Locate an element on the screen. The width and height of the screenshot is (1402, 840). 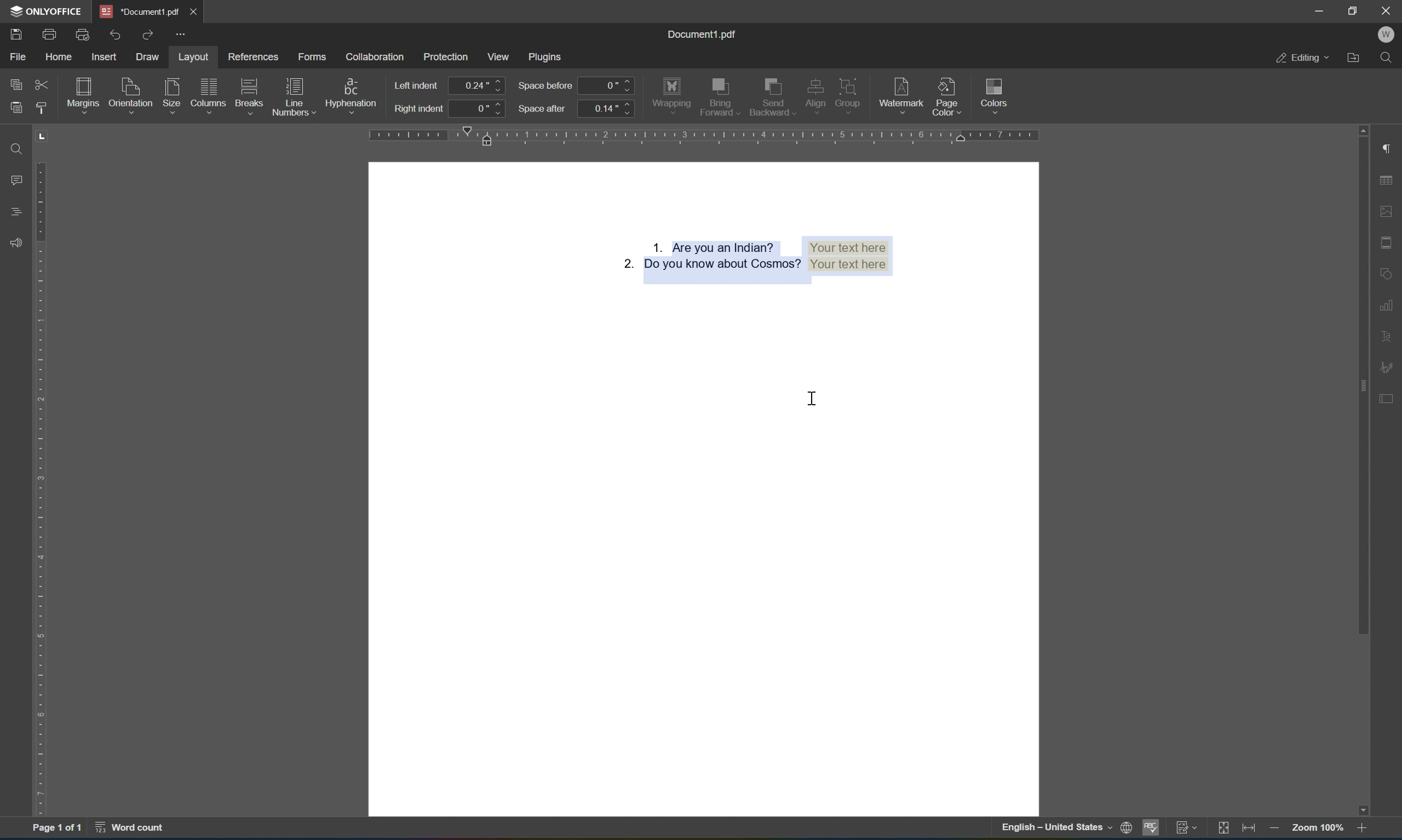
table settings is located at coordinates (1390, 182).